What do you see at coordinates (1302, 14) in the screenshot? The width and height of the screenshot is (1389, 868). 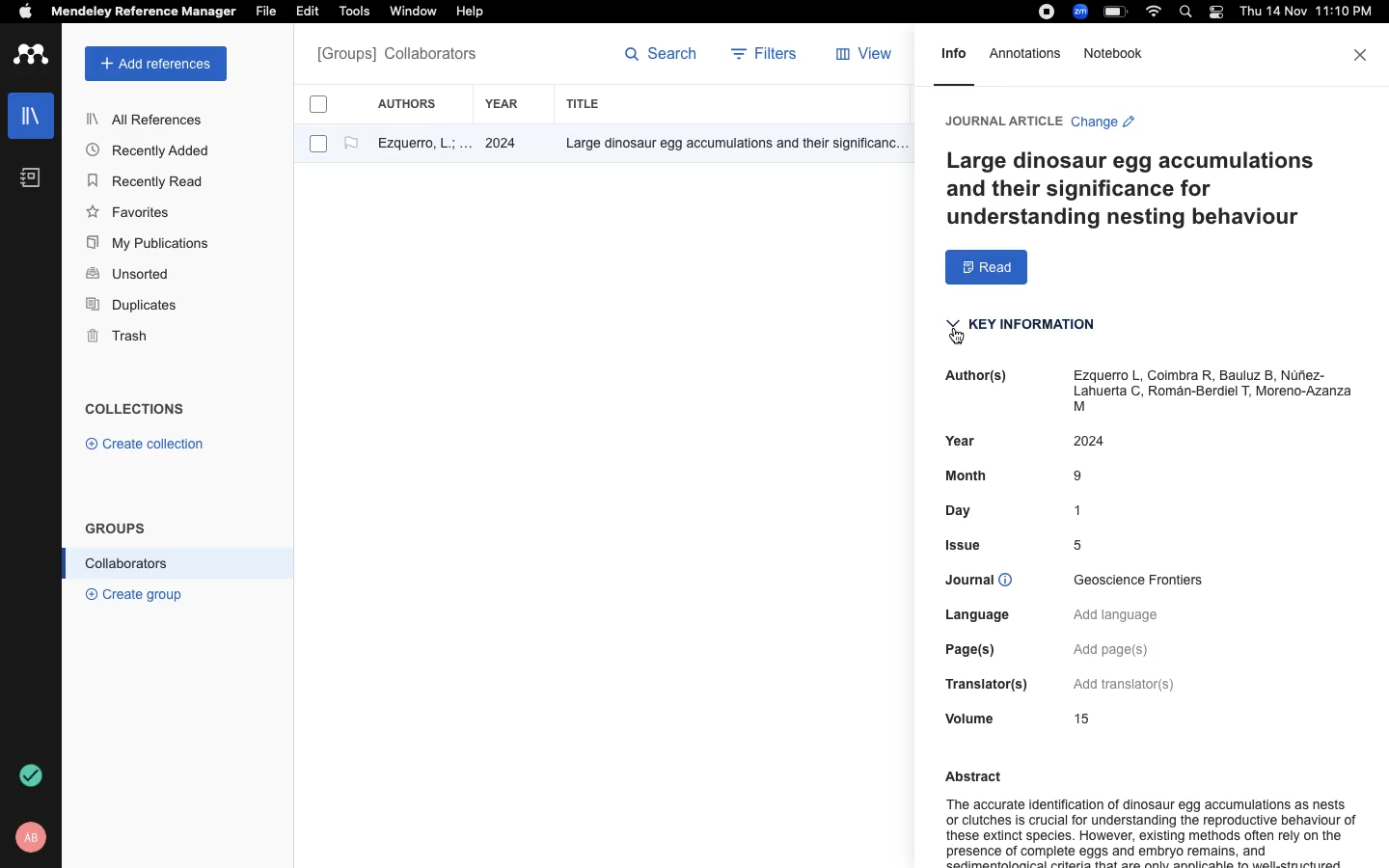 I see `date and time` at bounding box center [1302, 14].